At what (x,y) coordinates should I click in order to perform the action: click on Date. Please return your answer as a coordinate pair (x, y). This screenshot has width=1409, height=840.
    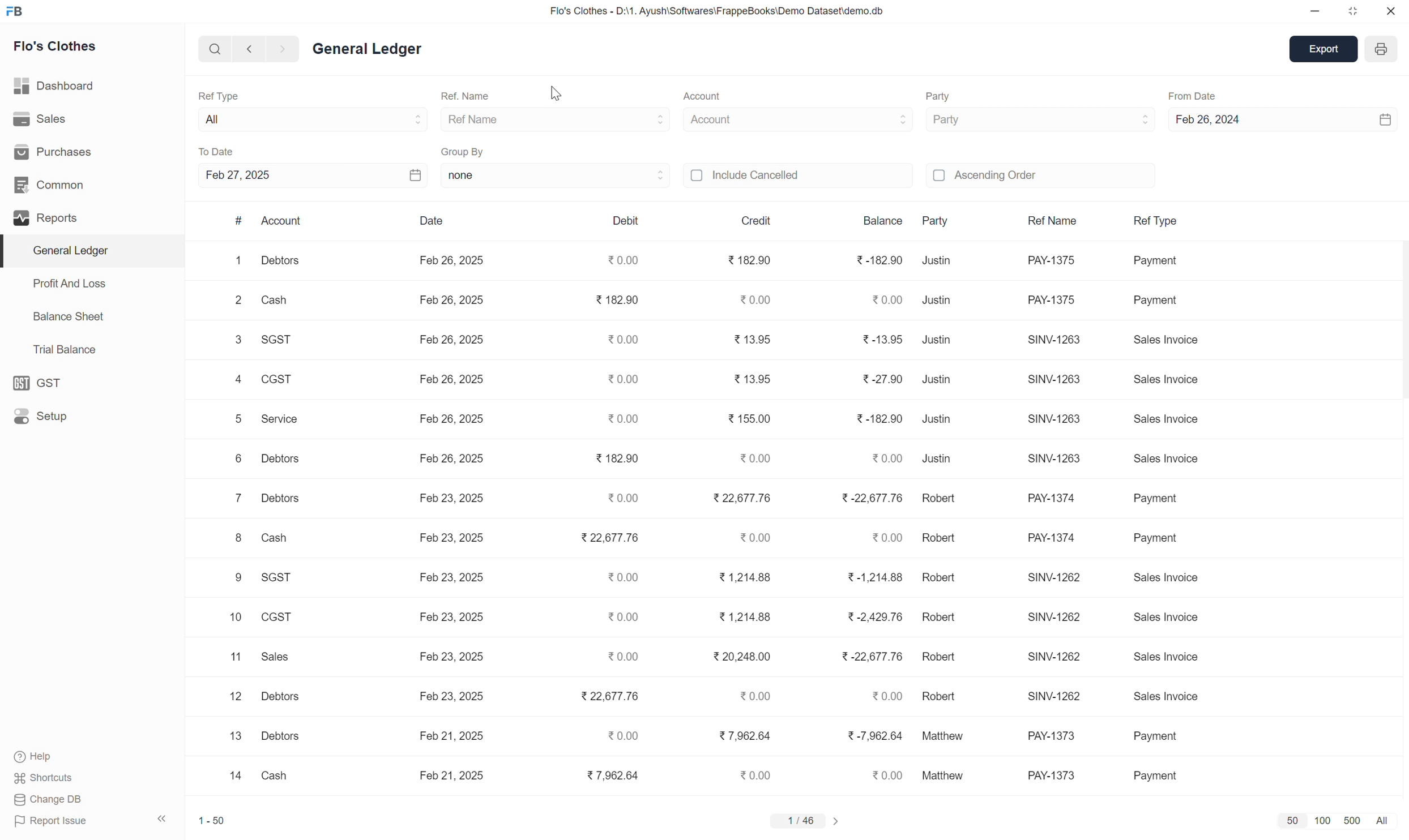
    Looking at the image, I should click on (432, 222).